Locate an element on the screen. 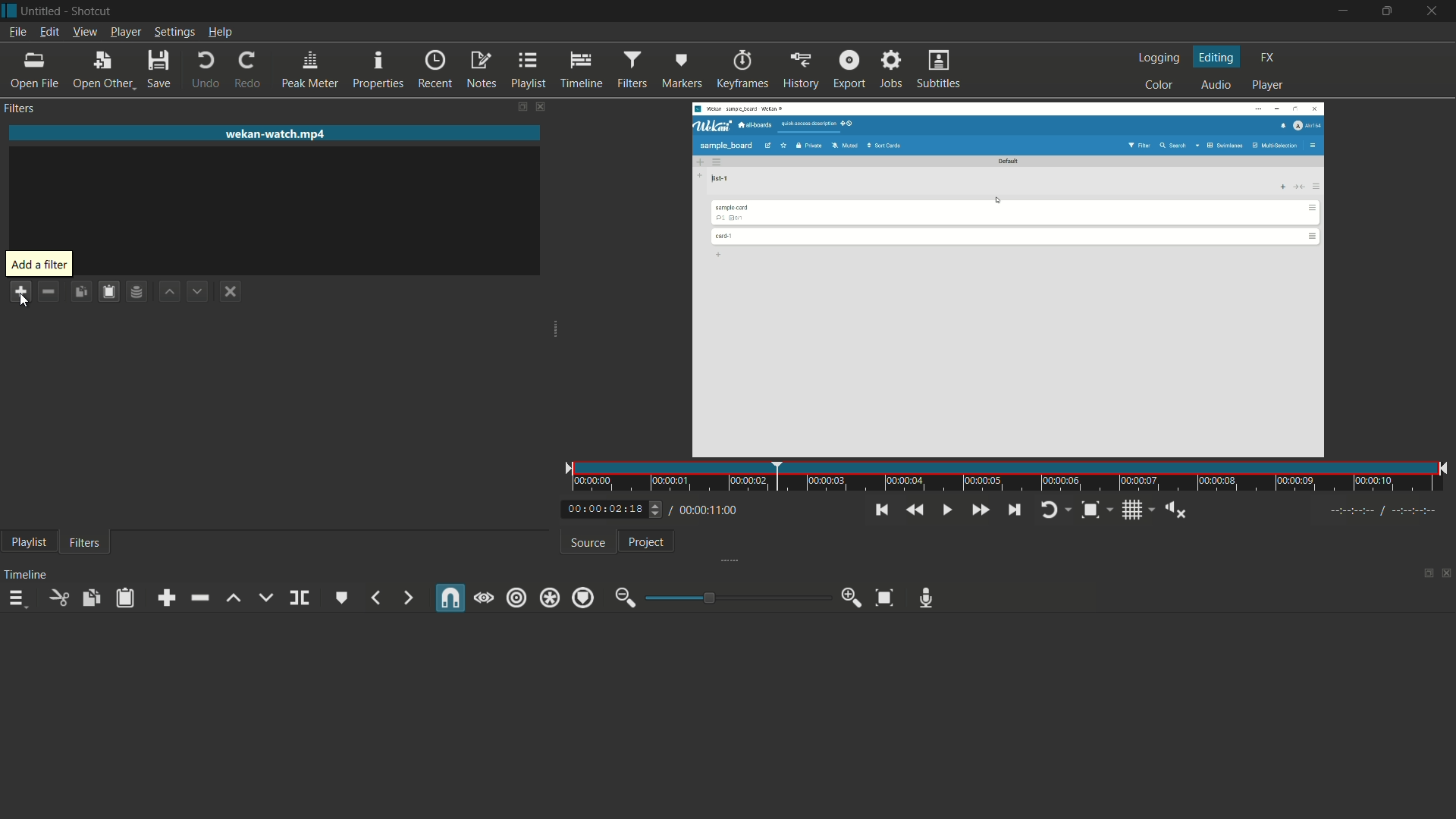  zoom out is located at coordinates (626, 598).